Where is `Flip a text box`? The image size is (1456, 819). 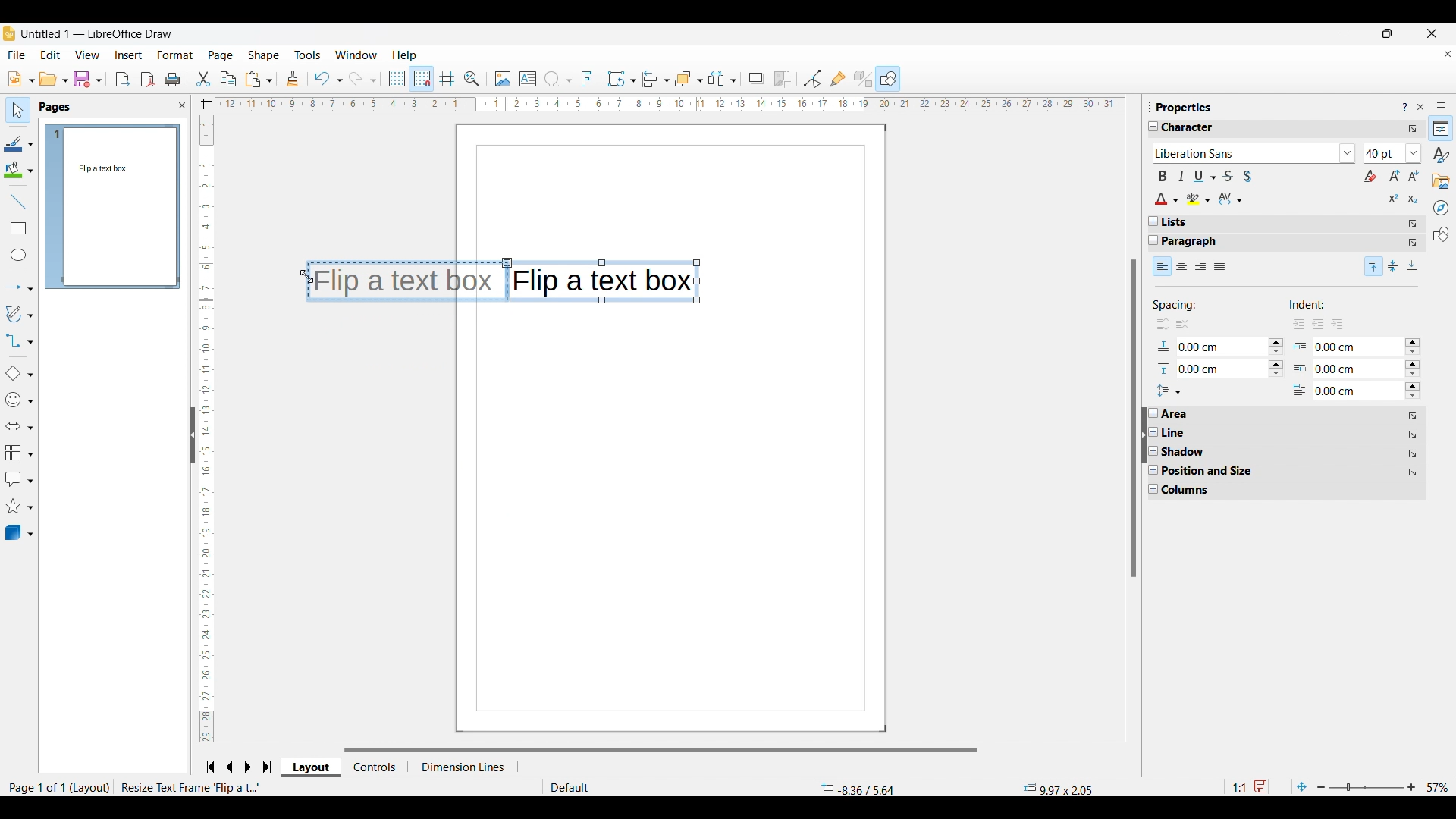
Flip a text box is located at coordinates (413, 278).